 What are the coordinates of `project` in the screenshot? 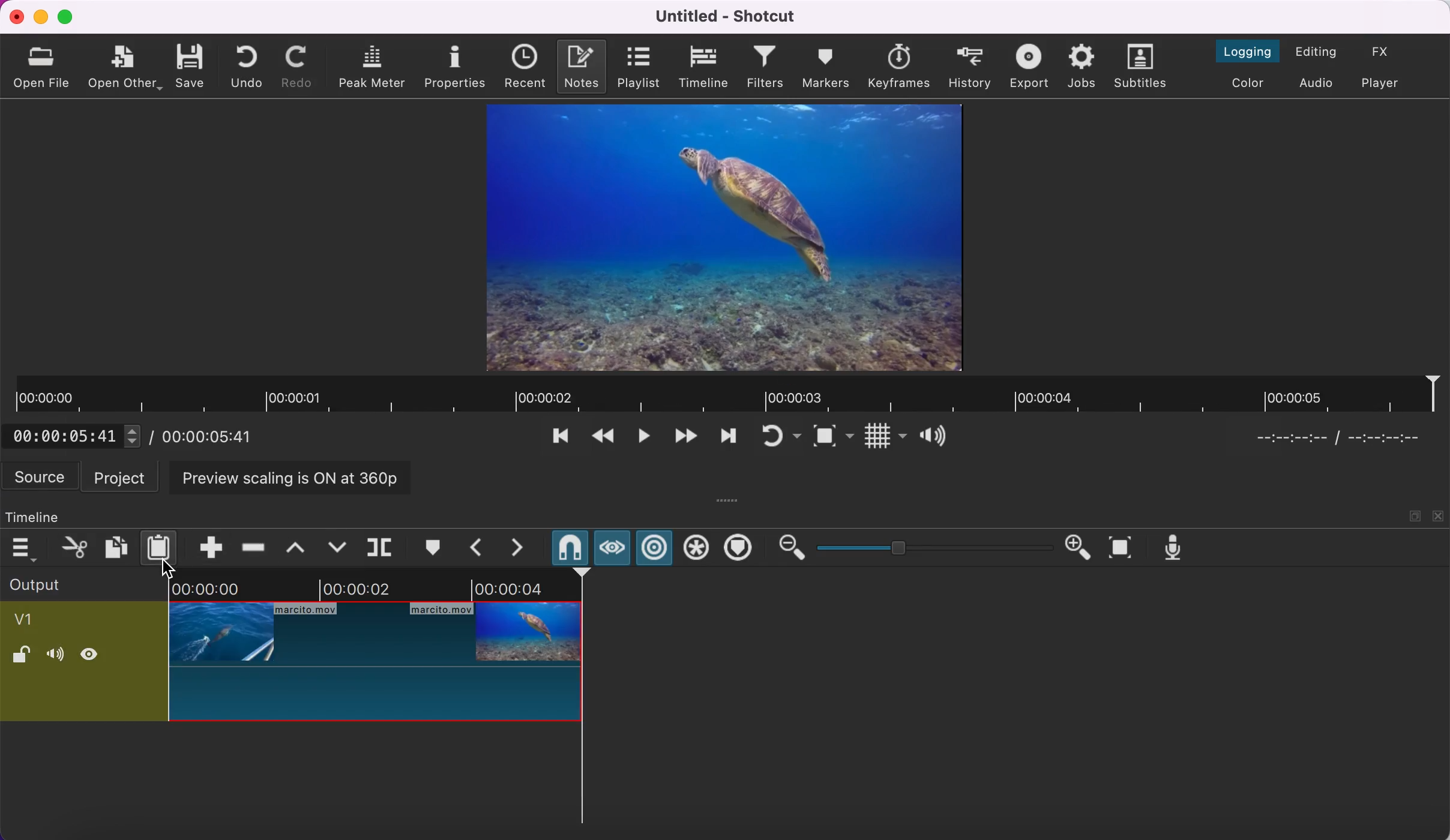 It's located at (121, 477).